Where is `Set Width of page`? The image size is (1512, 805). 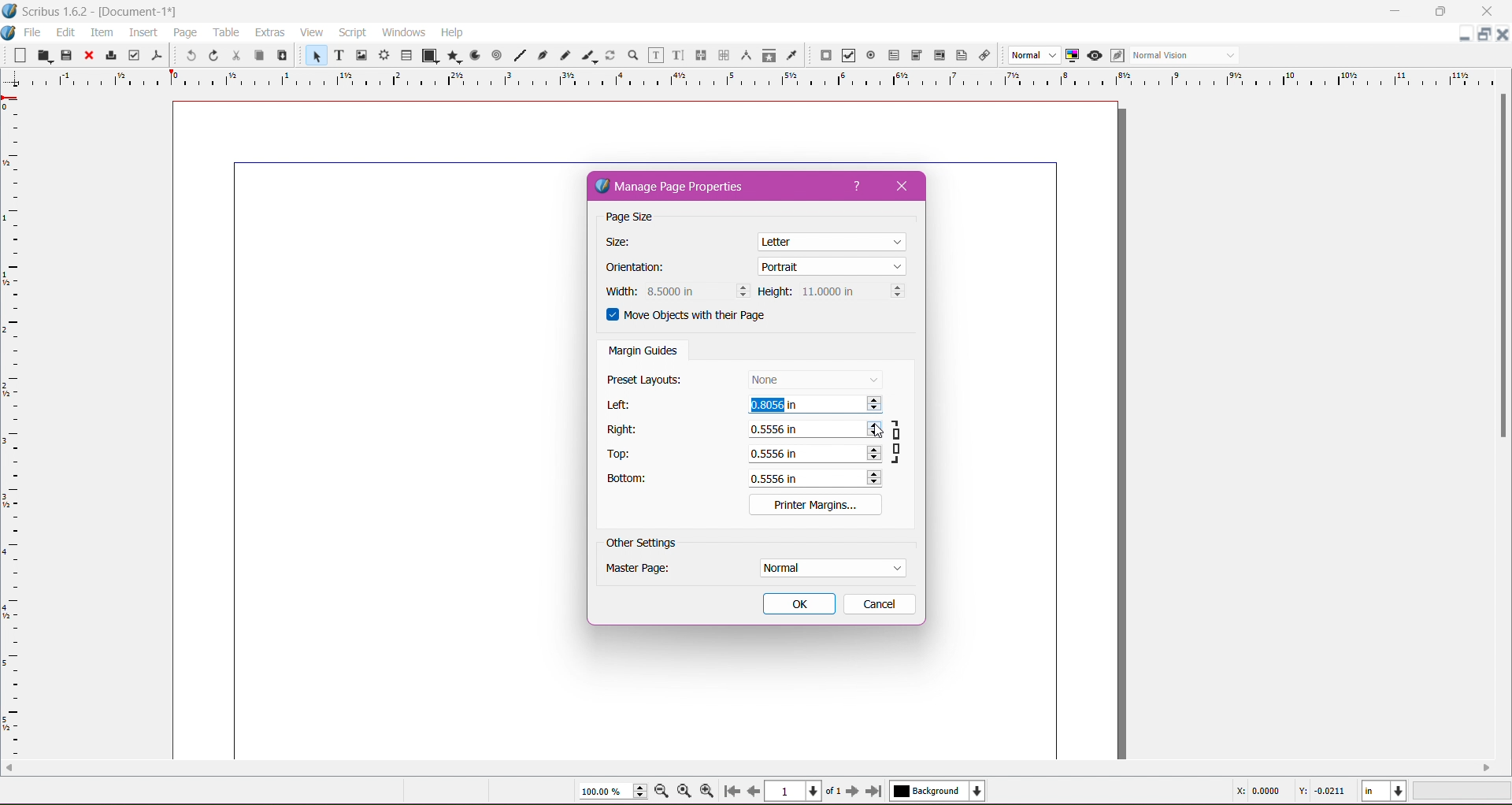
Set Width of page is located at coordinates (697, 291).